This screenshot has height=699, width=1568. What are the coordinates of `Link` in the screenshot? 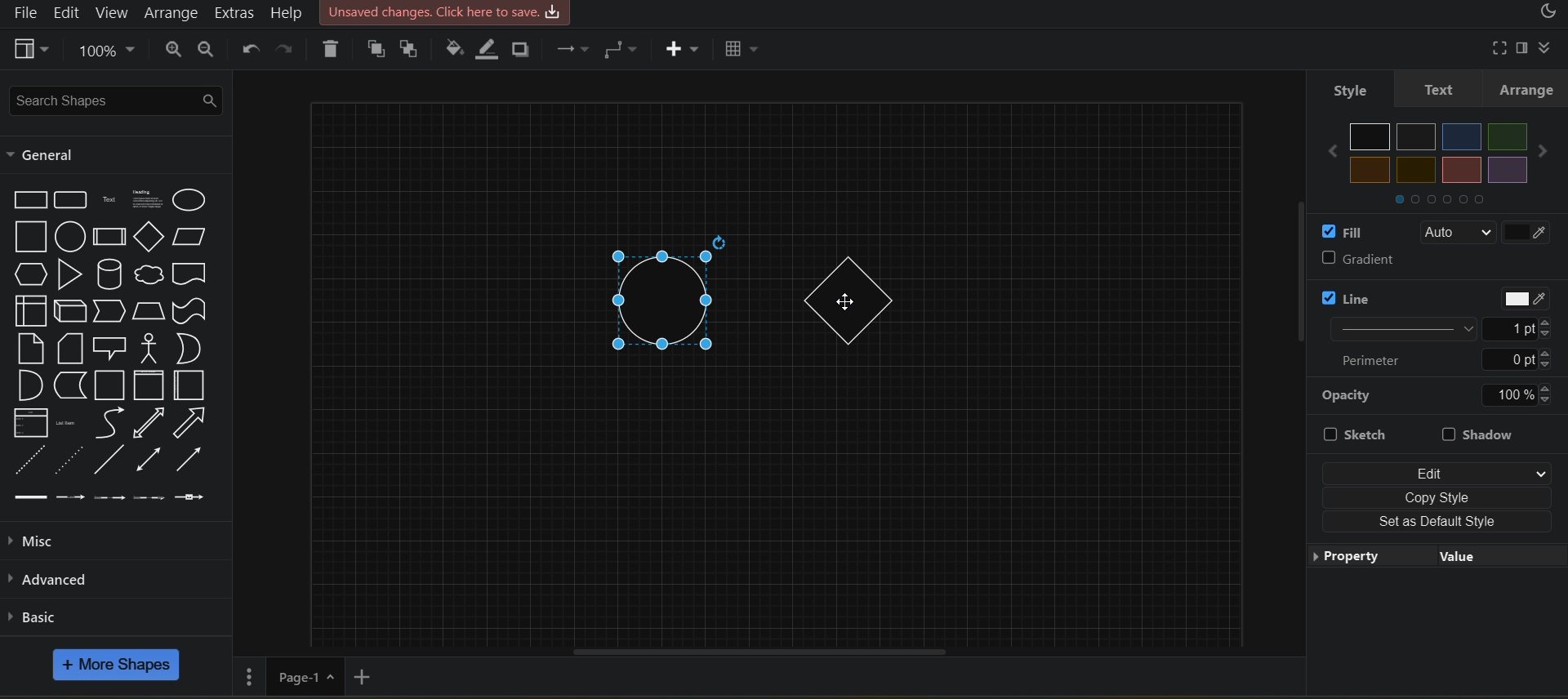 It's located at (31, 497).